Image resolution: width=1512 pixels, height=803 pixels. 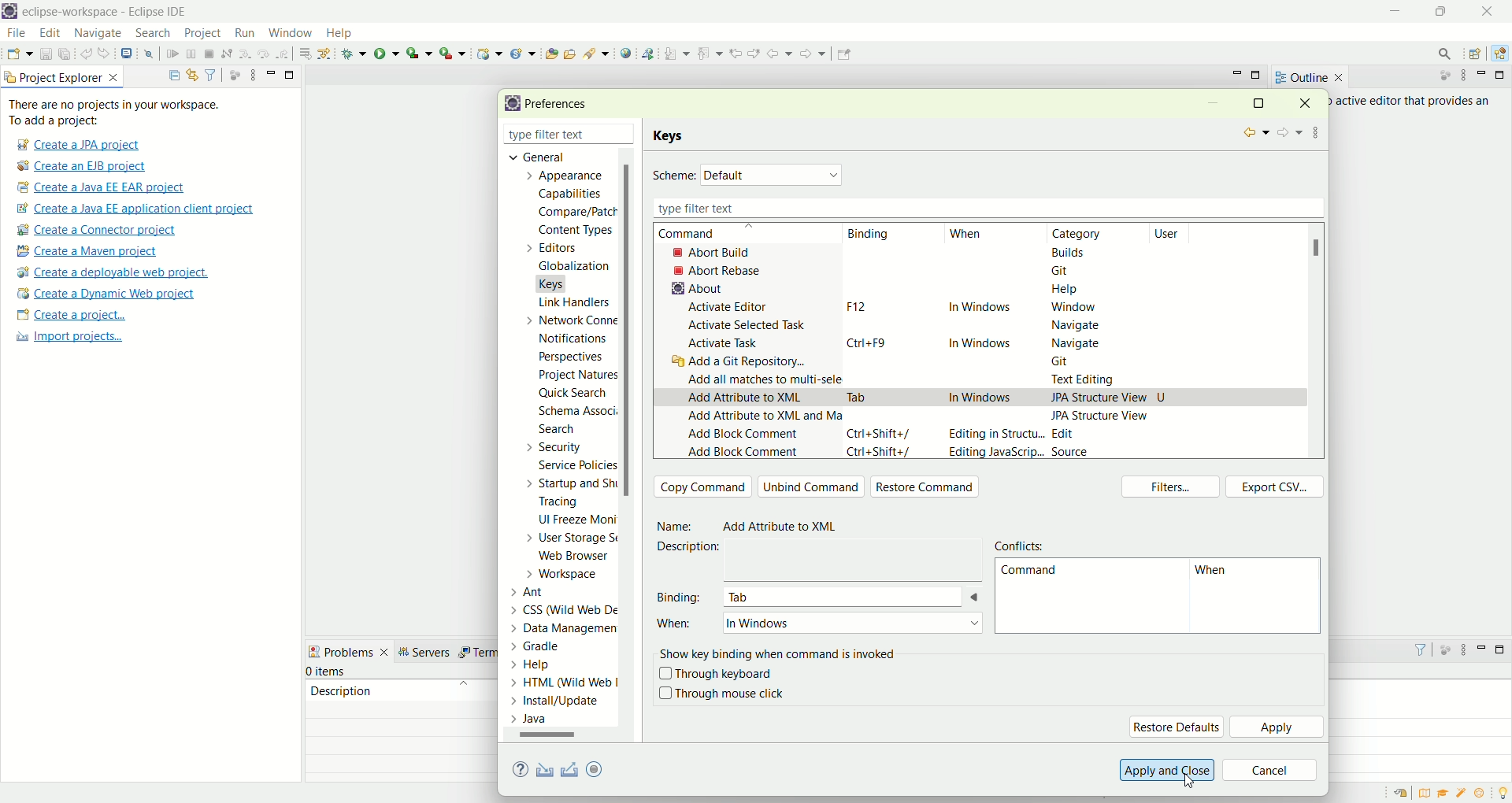 What do you see at coordinates (1176, 727) in the screenshot?
I see `restore default` at bounding box center [1176, 727].